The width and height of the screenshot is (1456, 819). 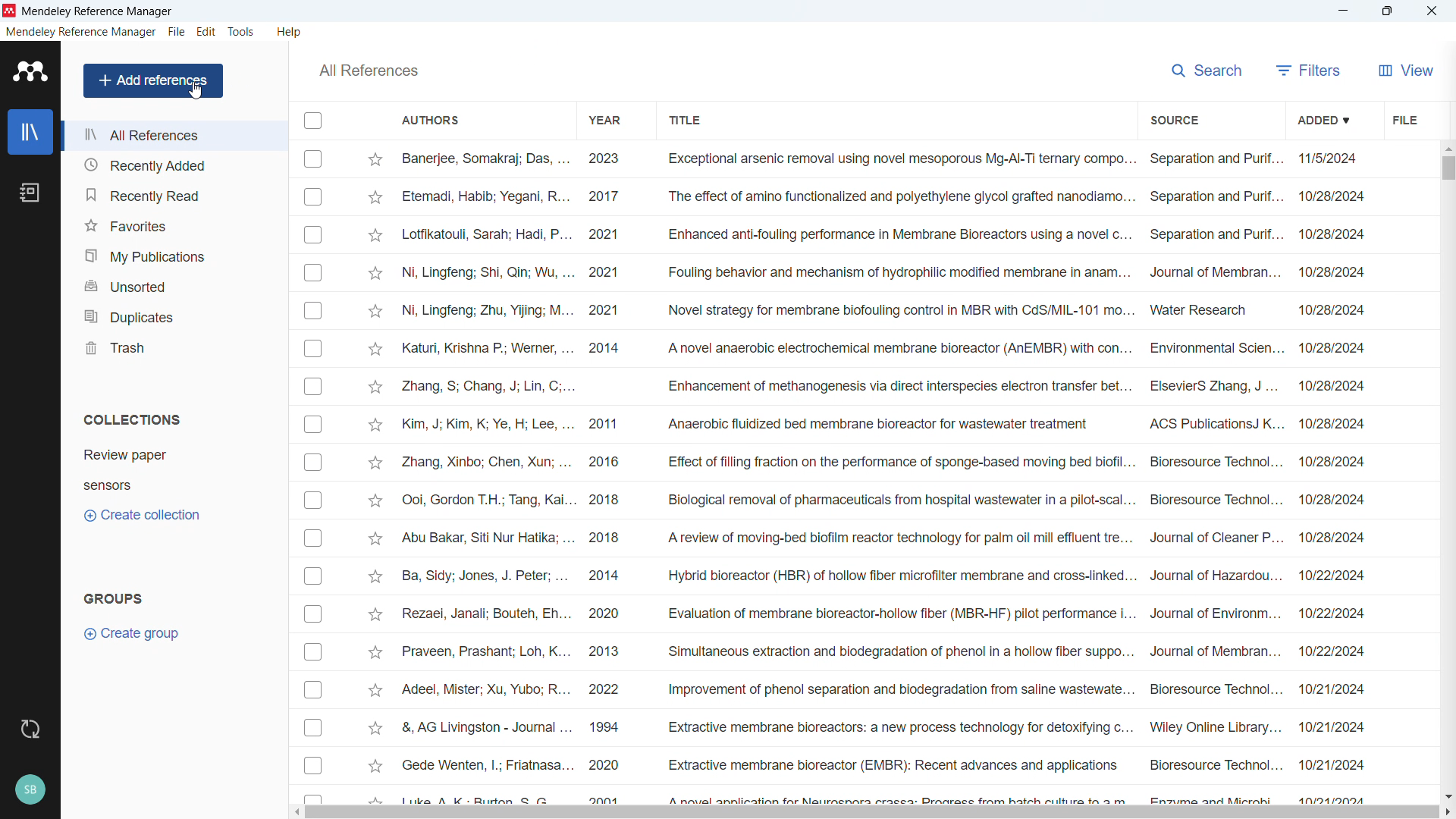 I want to click on Select all , so click(x=312, y=120).